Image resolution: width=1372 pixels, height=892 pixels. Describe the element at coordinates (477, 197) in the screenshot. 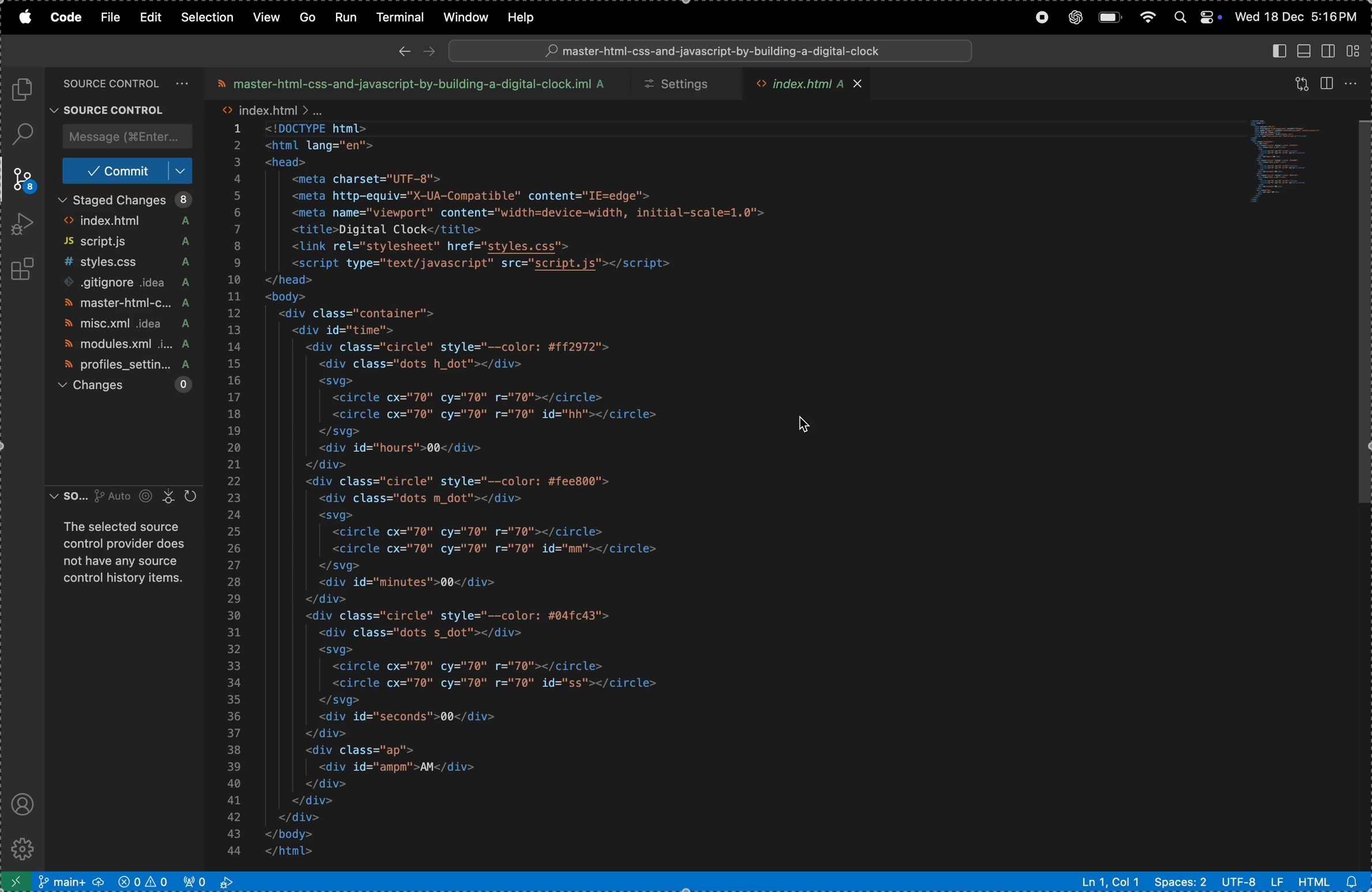

I see `<meta http-equiv="X-UA-Compatible" content="IE=edge">` at that location.